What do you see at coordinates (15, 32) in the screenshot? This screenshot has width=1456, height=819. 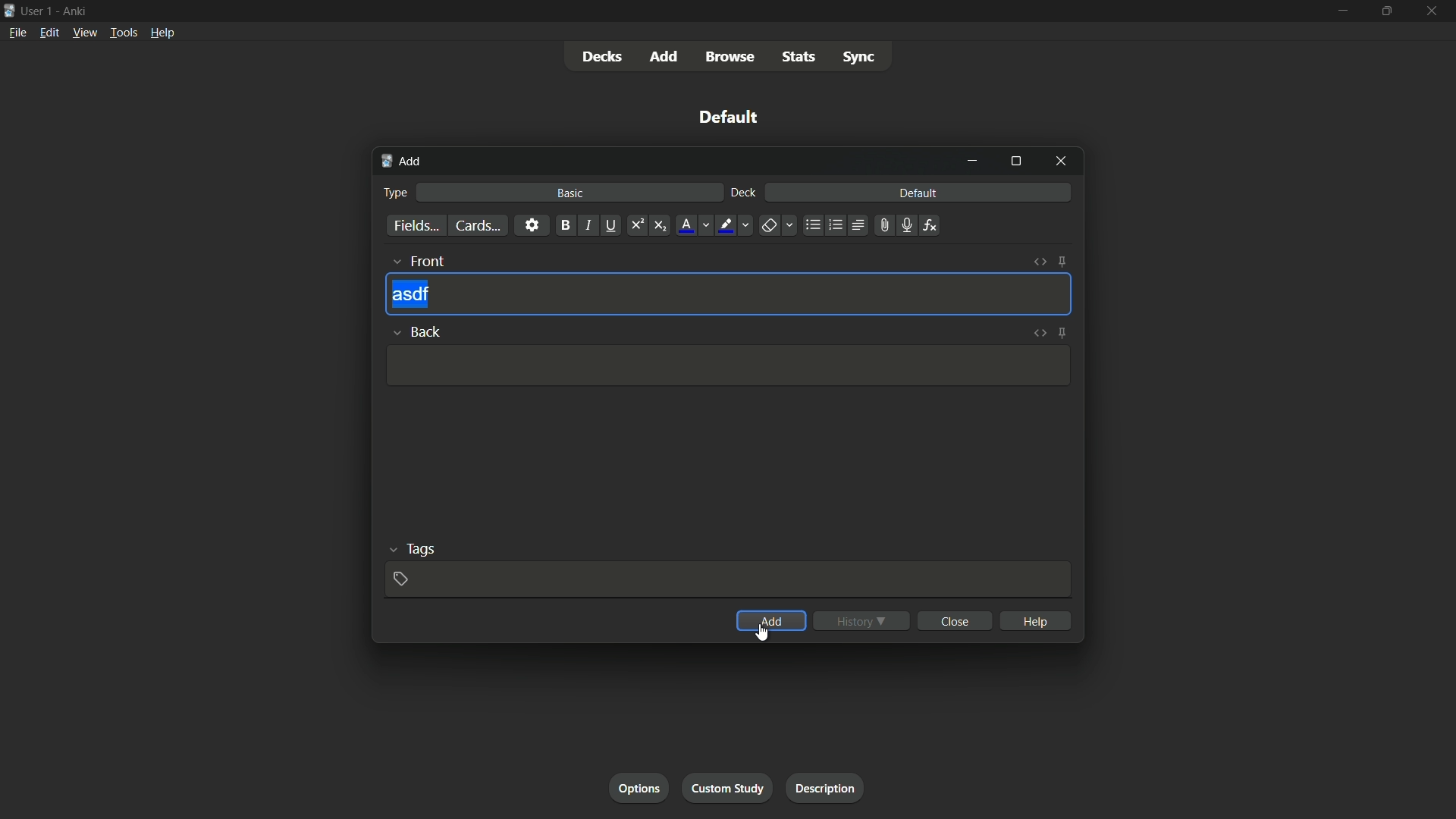 I see `file` at bounding box center [15, 32].